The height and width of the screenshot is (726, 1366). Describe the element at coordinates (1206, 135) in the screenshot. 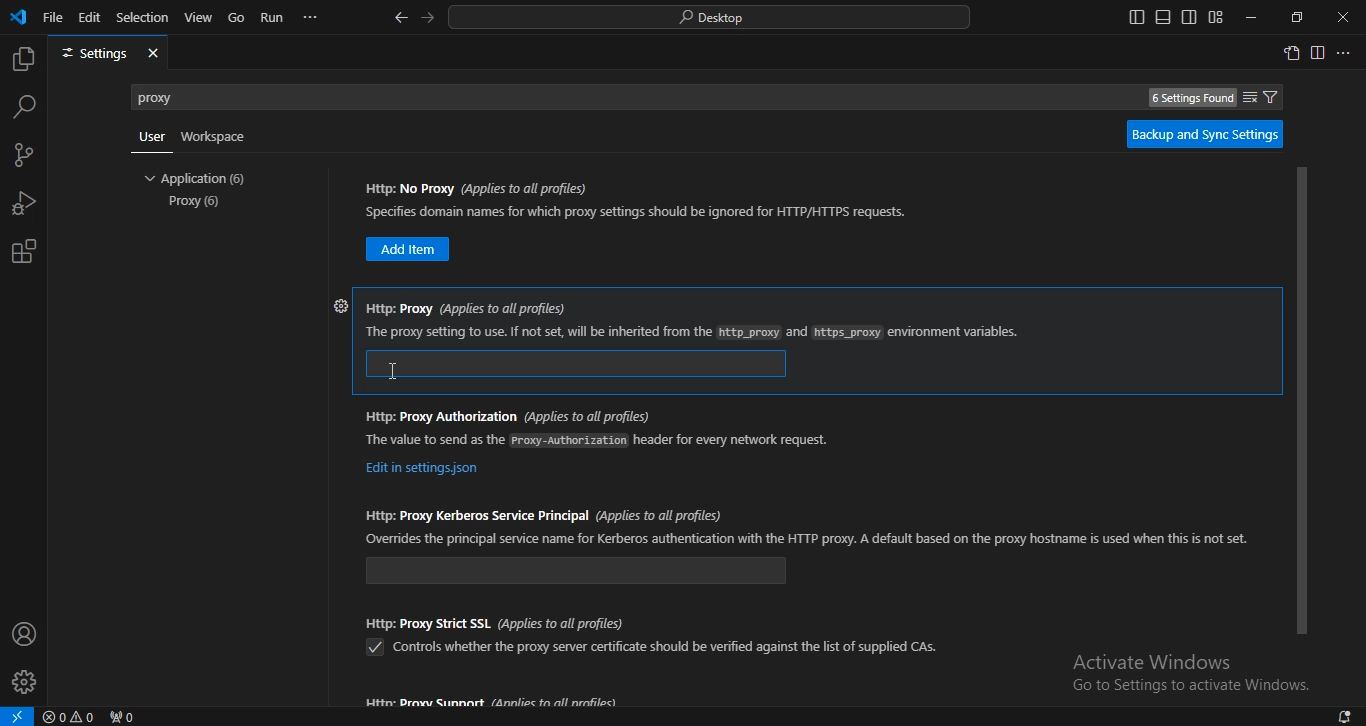

I see `backup and sync settings` at that location.